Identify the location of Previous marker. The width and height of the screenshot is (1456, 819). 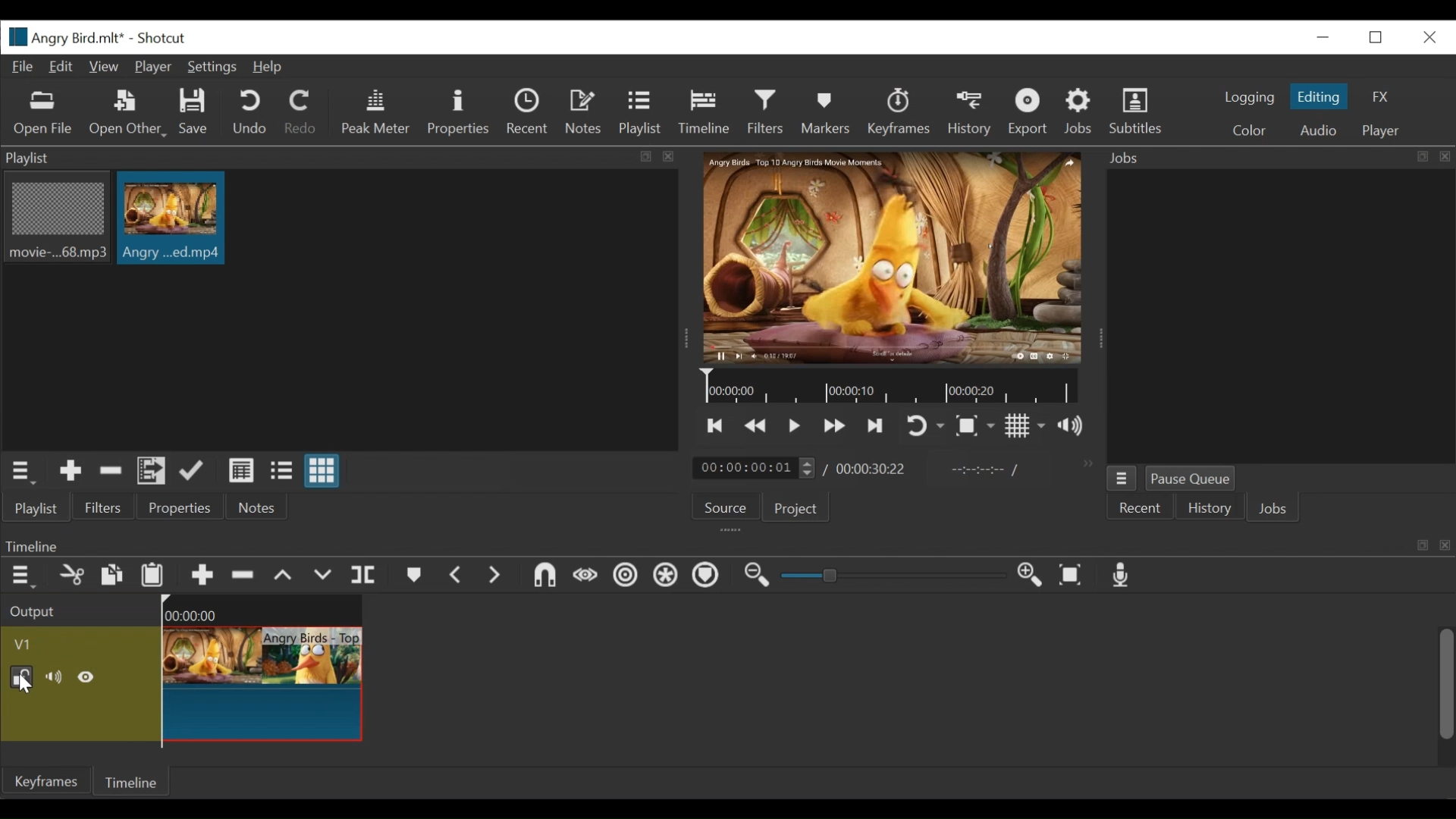
(458, 576).